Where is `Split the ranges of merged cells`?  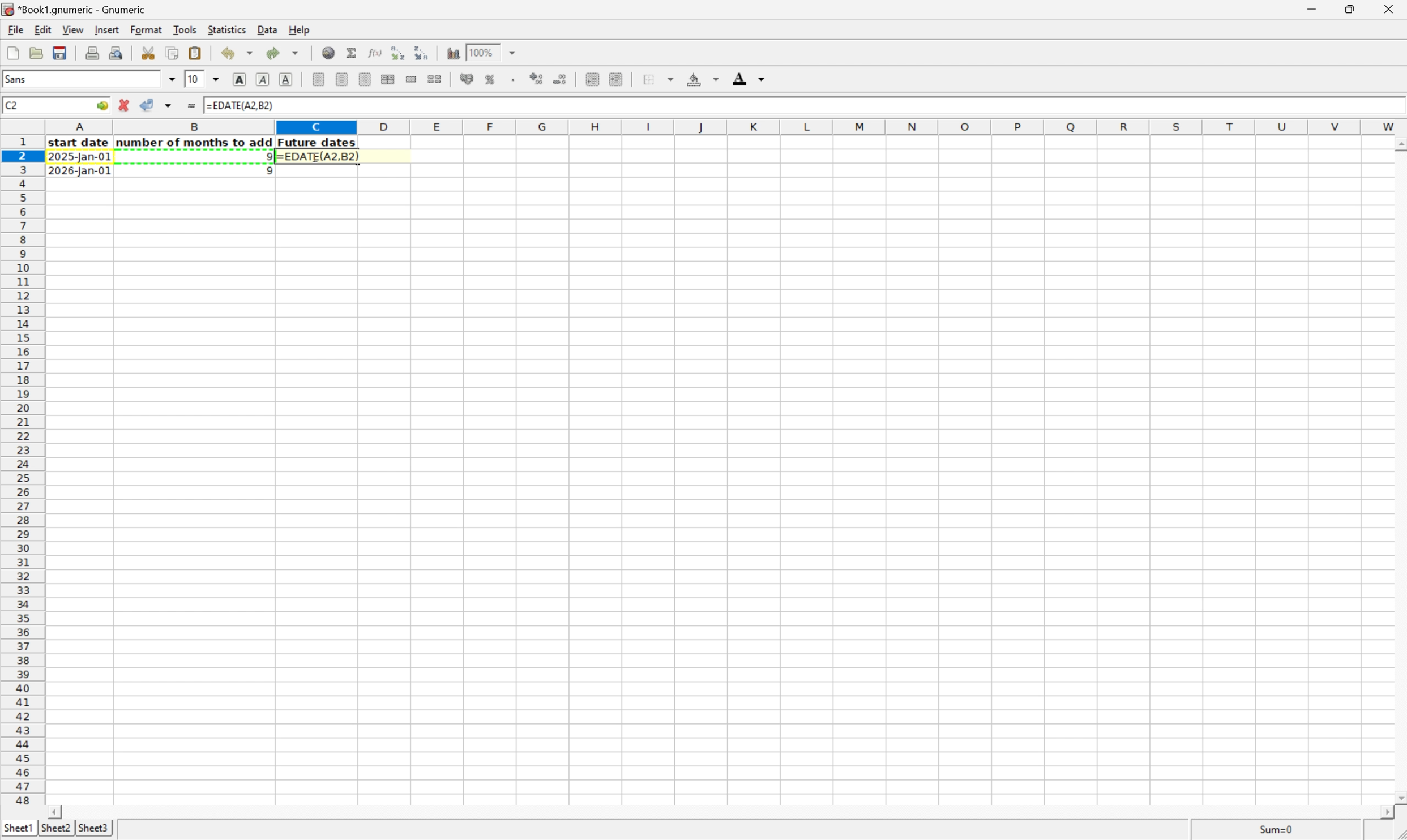
Split the ranges of merged cells is located at coordinates (434, 78).